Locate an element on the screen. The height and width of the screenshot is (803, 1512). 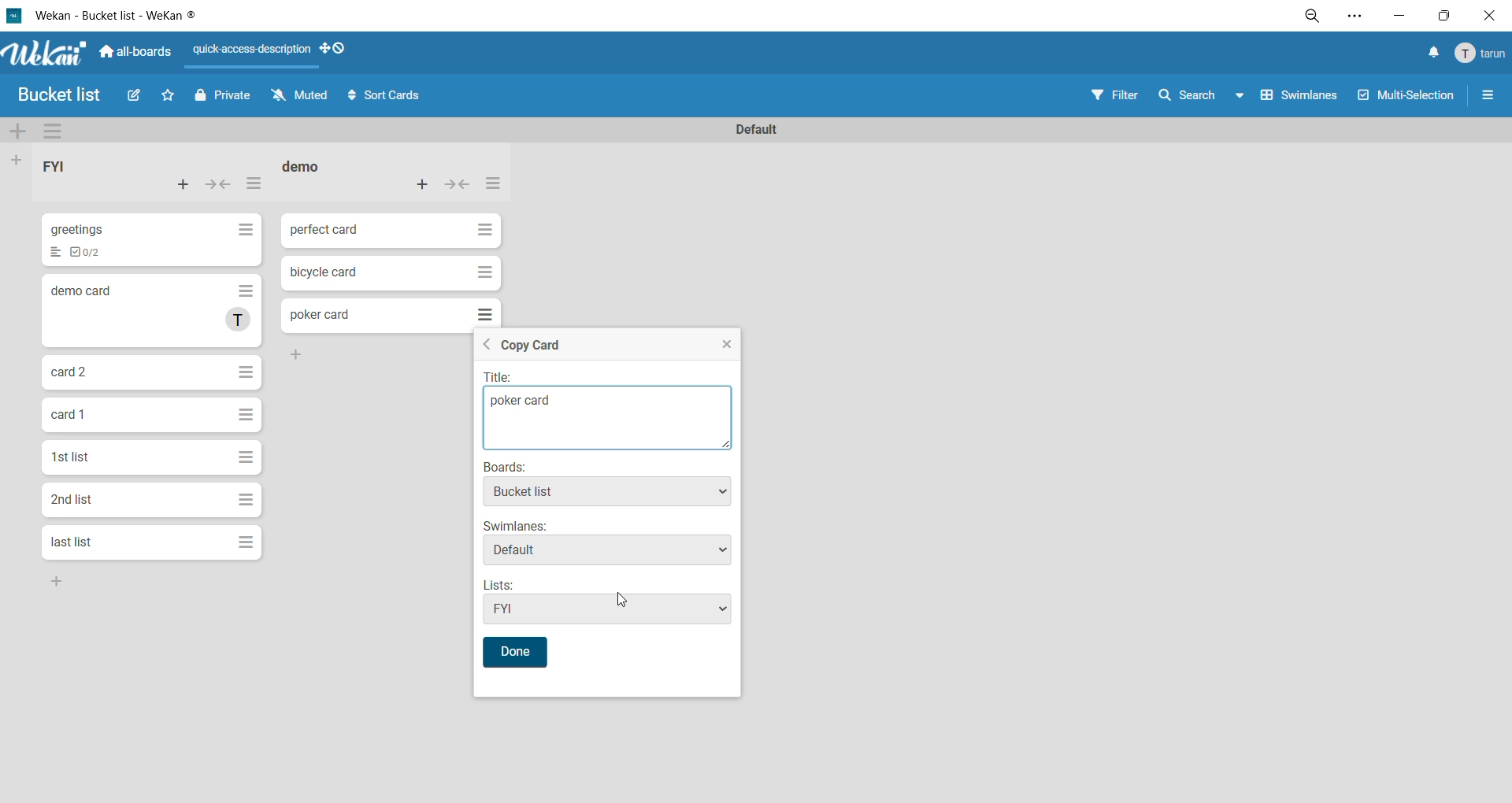
cursor is located at coordinates (624, 604).